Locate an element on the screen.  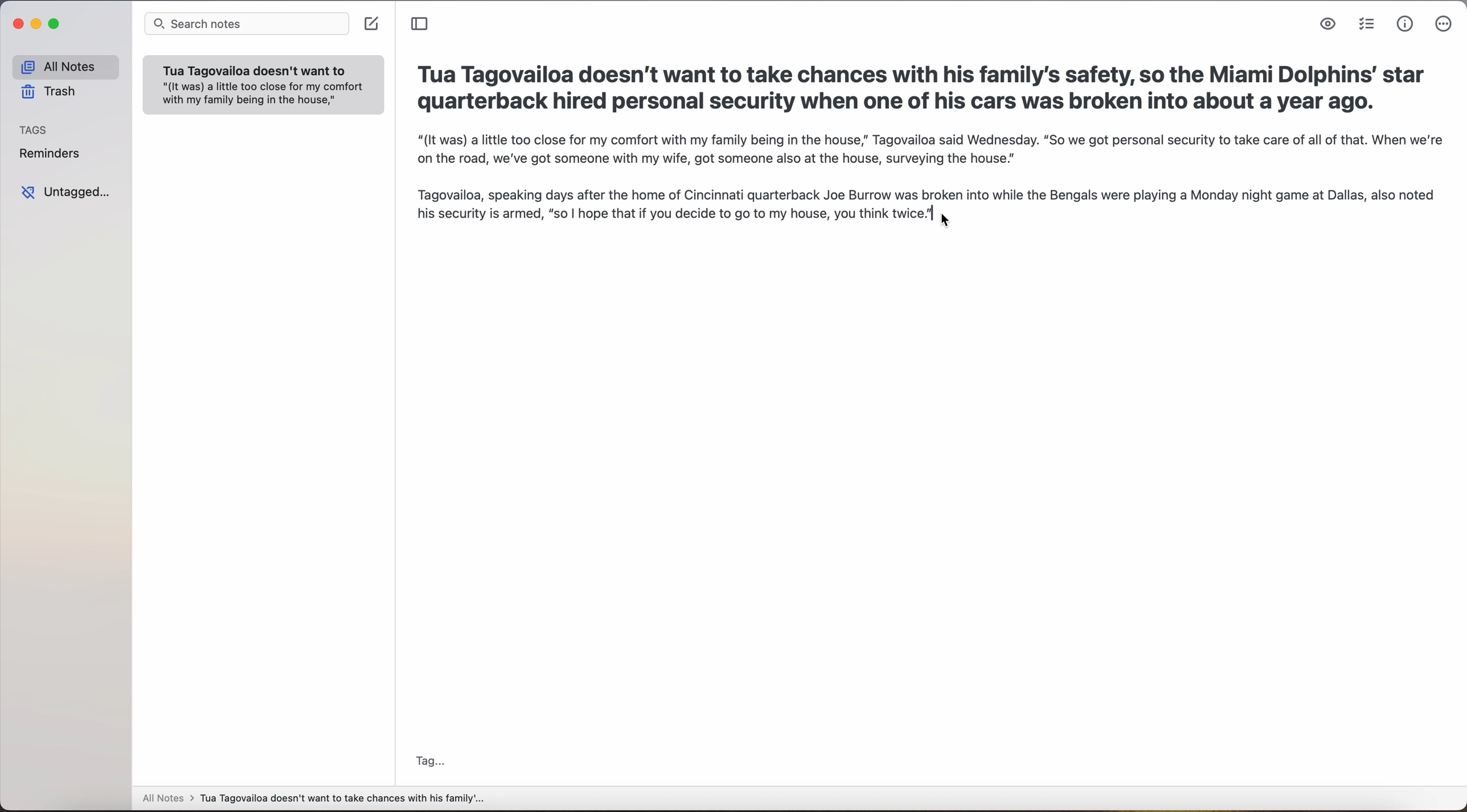
more options is located at coordinates (1443, 24).